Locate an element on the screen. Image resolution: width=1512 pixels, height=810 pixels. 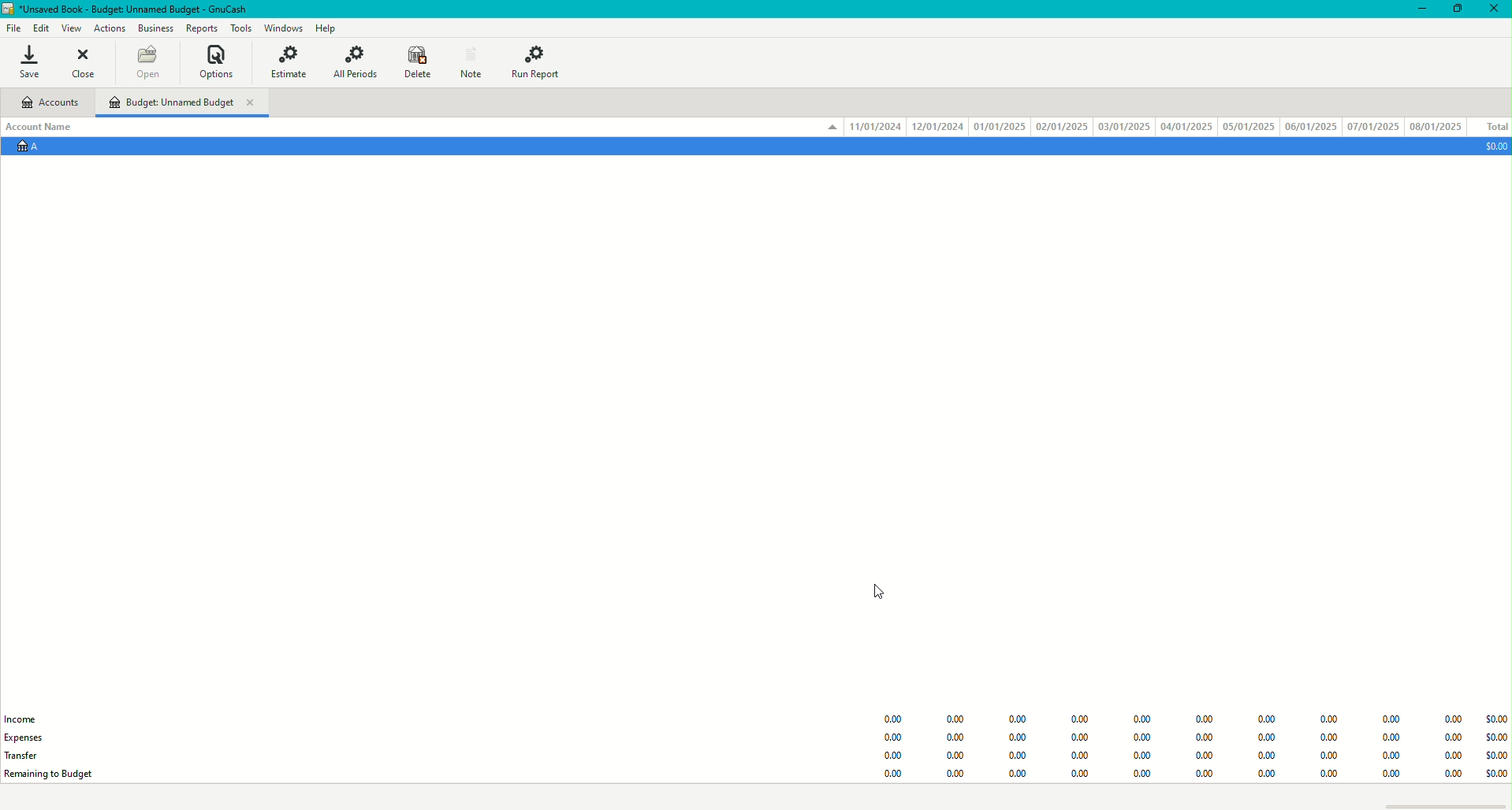
Actions is located at coordinates (109, 28).